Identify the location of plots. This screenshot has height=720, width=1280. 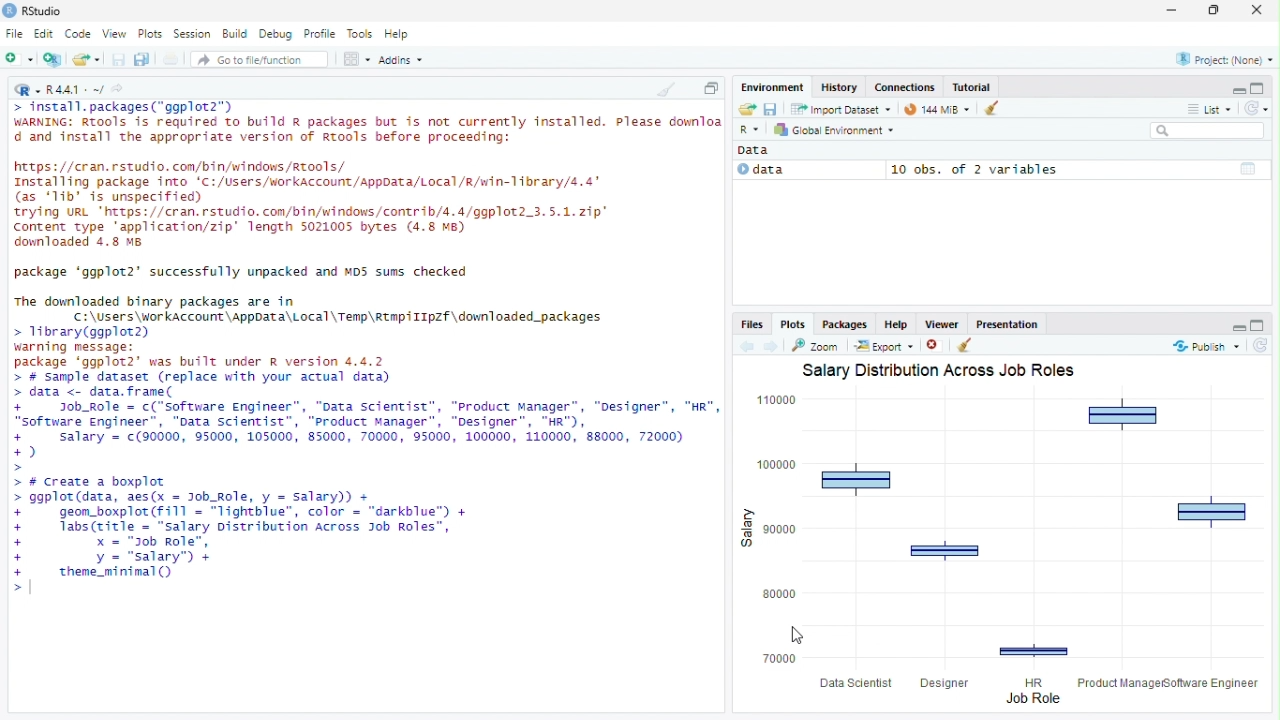
(793, 323).